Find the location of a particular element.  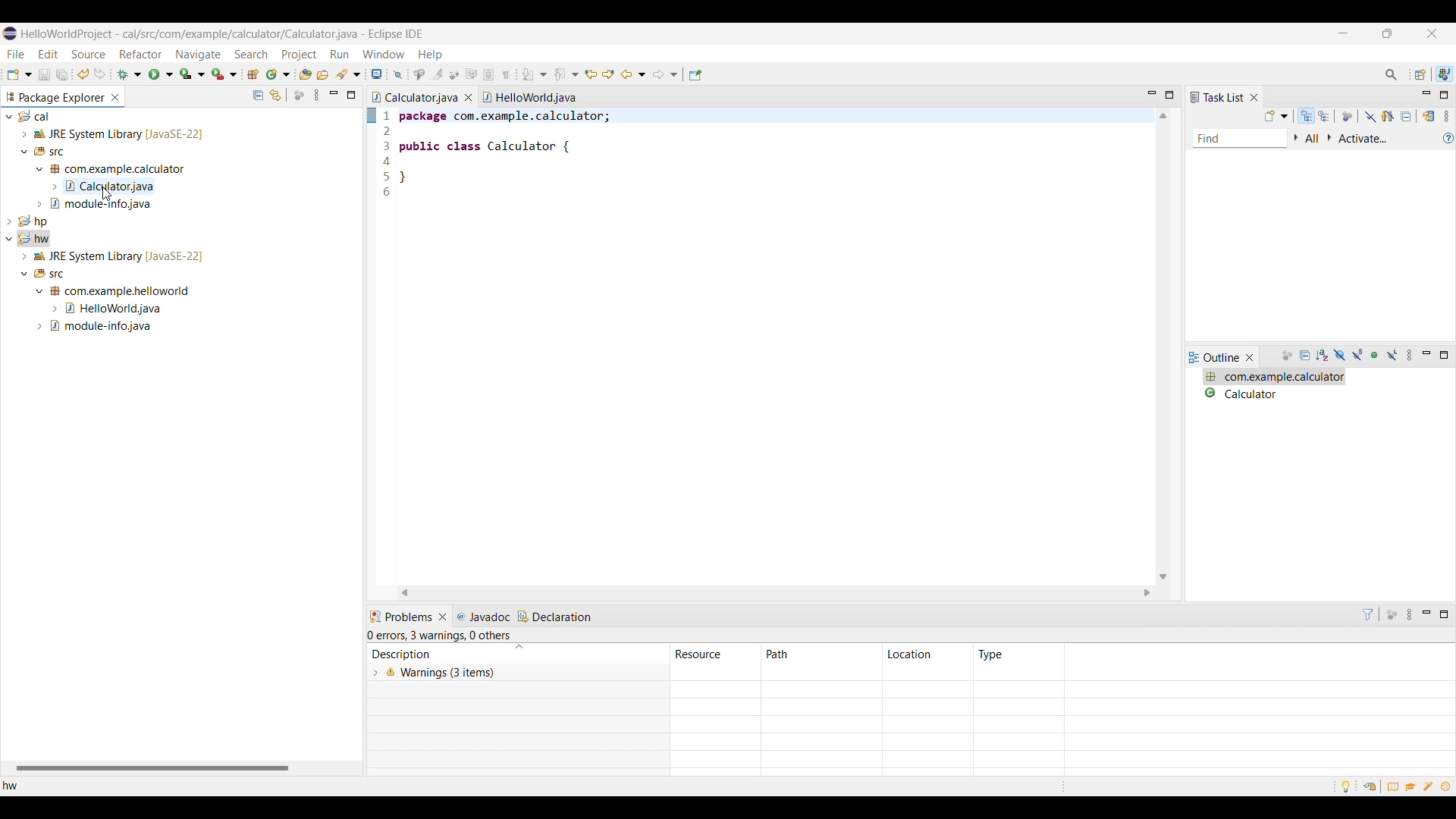

Tutorials is located at coordinates (1412, 788).